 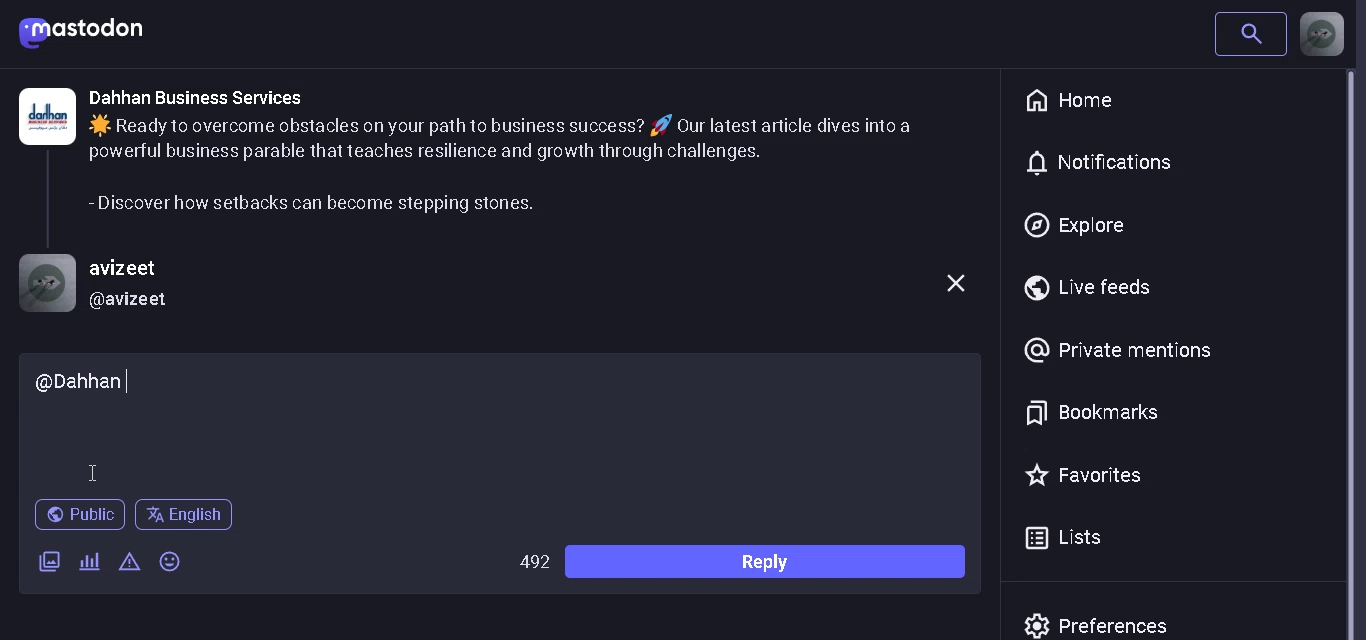 What do you see at coordinates (50, 558) in the screenshot?
I see `add image` at bounding box center [50, 558].